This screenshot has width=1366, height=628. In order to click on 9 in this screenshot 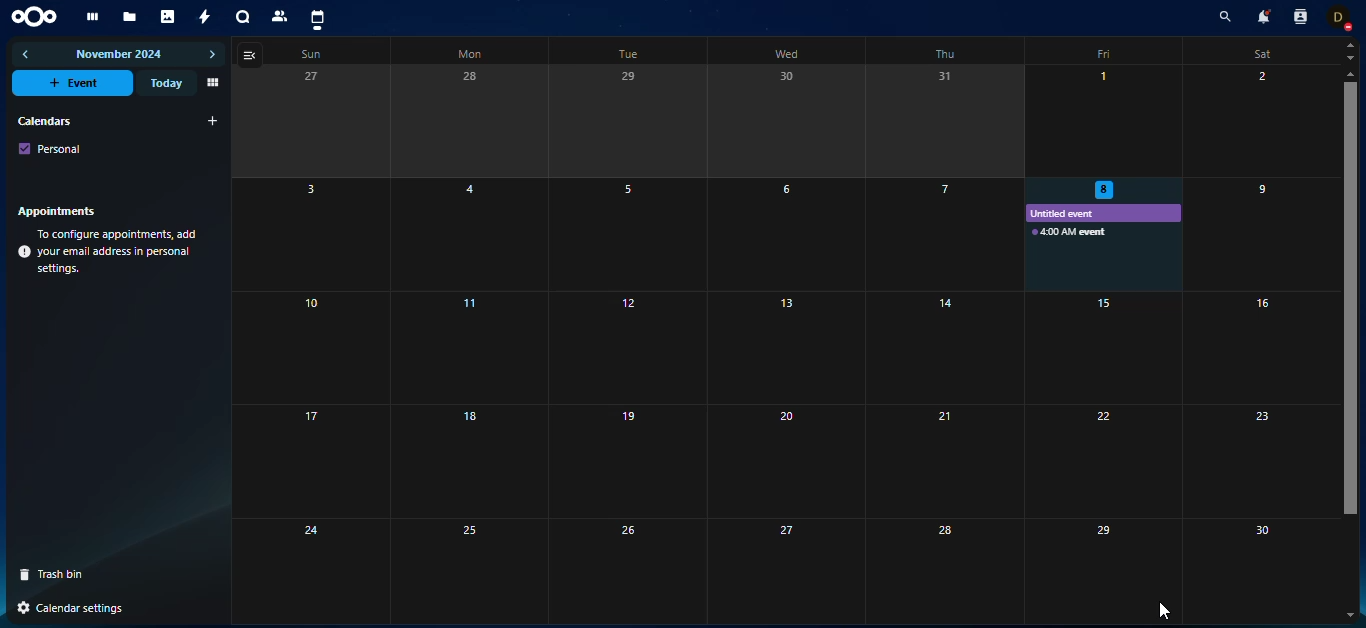, I will do `click(1256, 236)`.